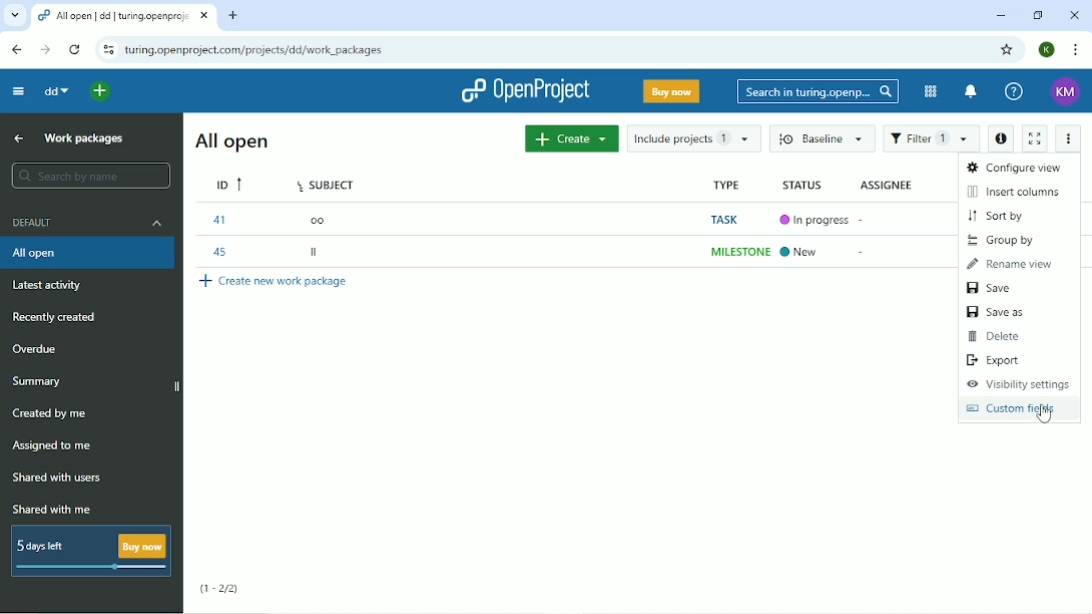 The image size is (1092, 614). I want to click on Latest activity, so click(51, 286).